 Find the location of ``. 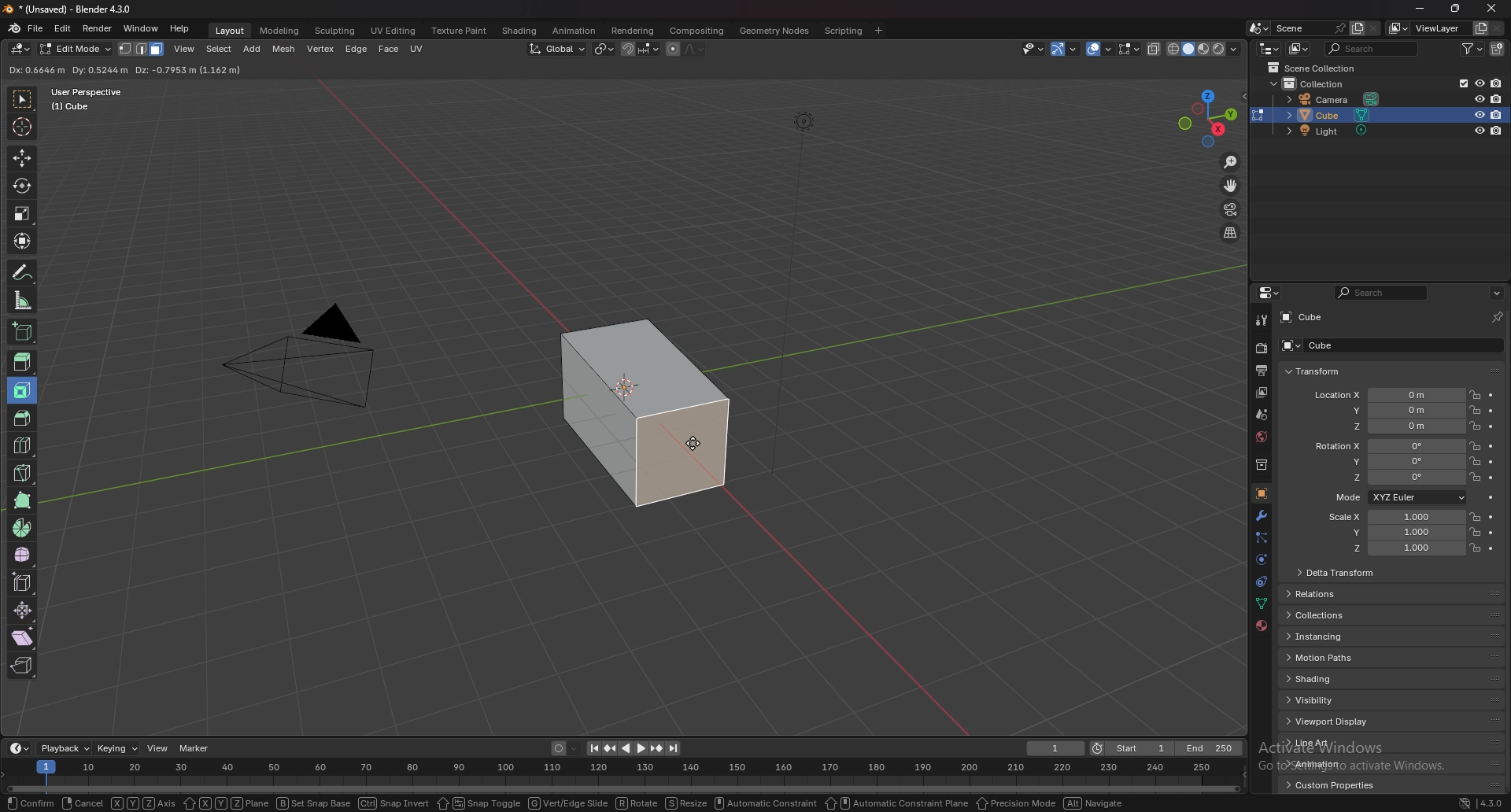

 is located at coordinates (621, 774).